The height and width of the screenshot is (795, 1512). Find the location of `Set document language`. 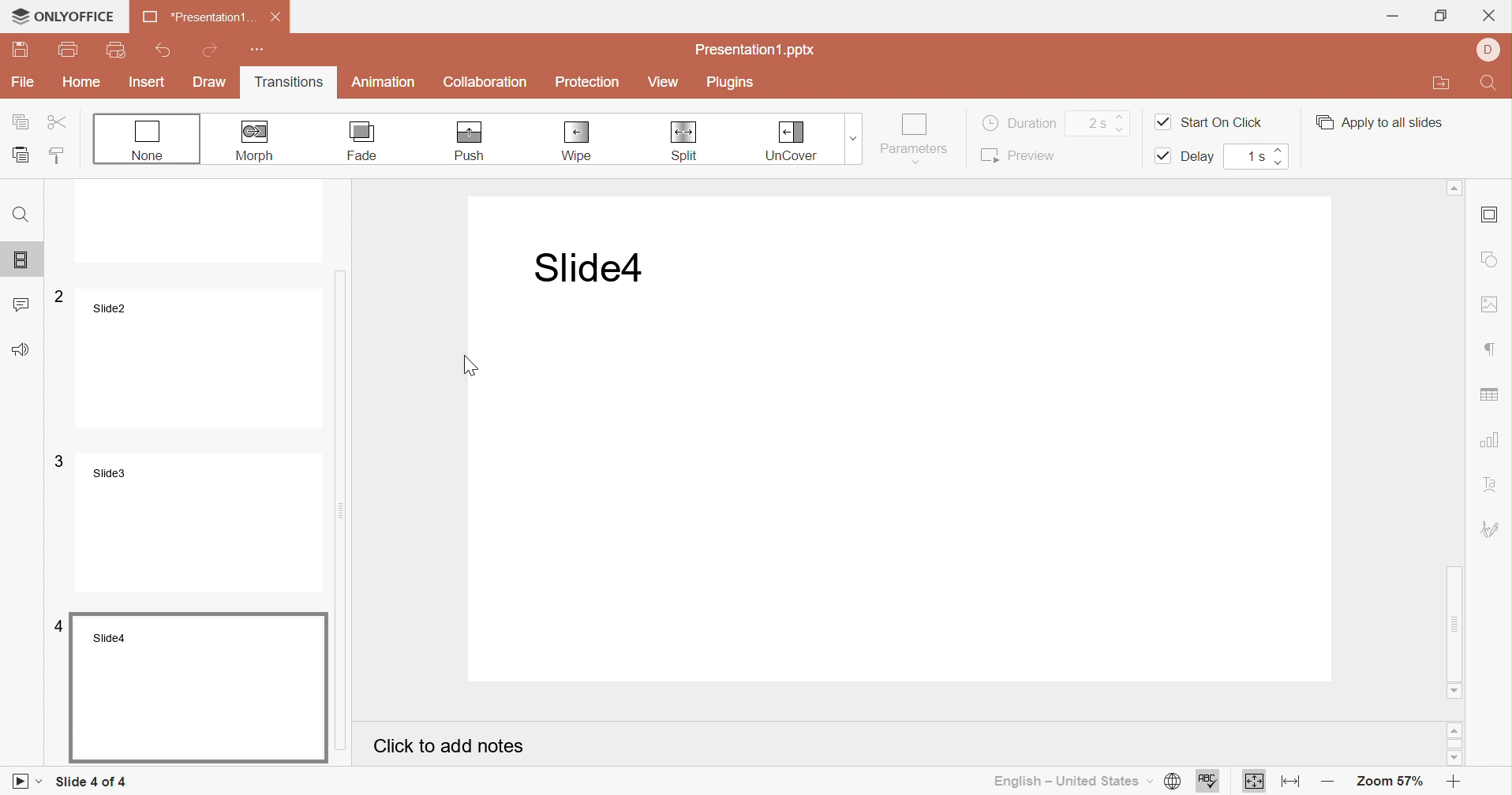

Set document language is located at coordinates (1171, 782).